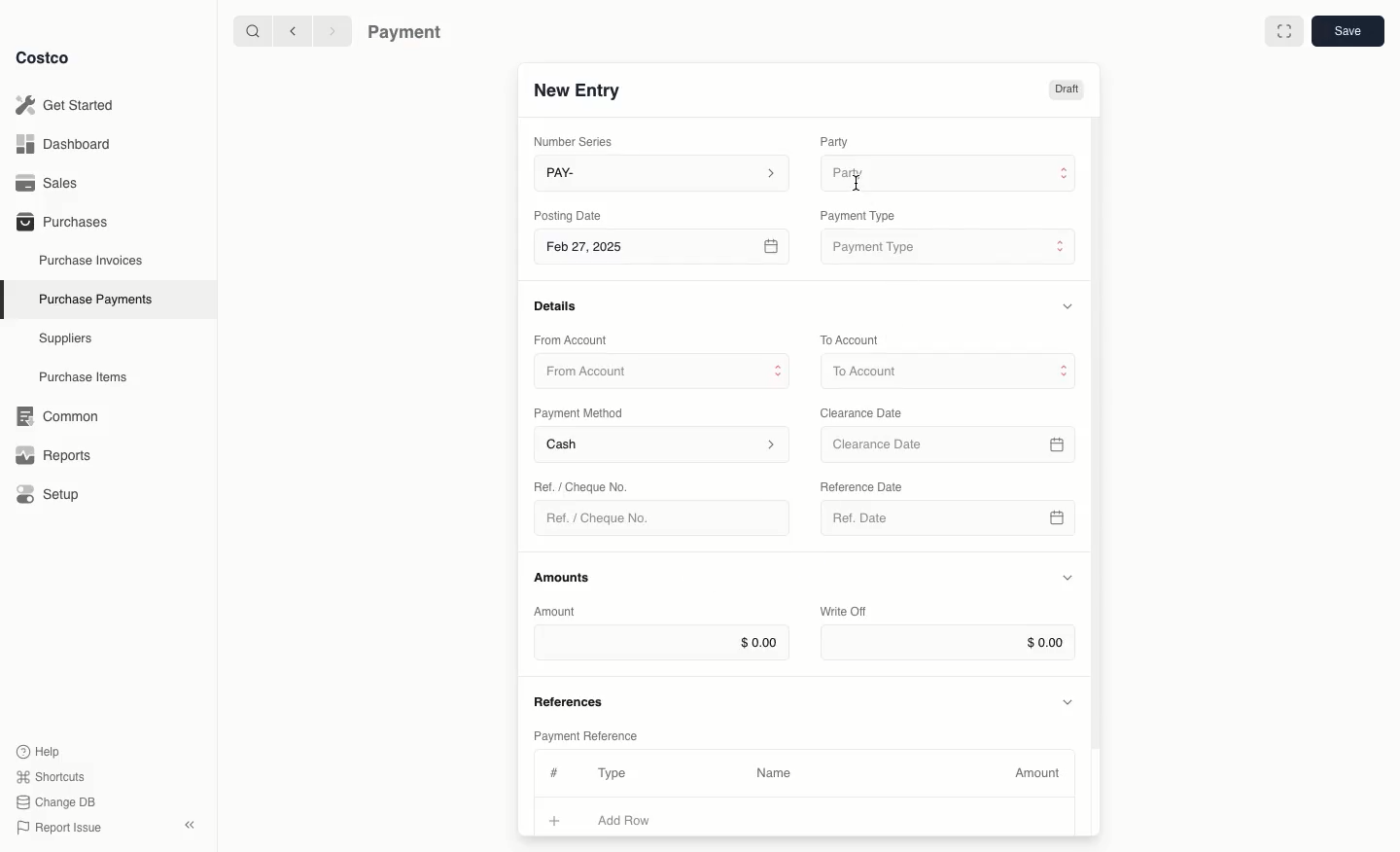  I want to click on Costco, so click(42, 57).